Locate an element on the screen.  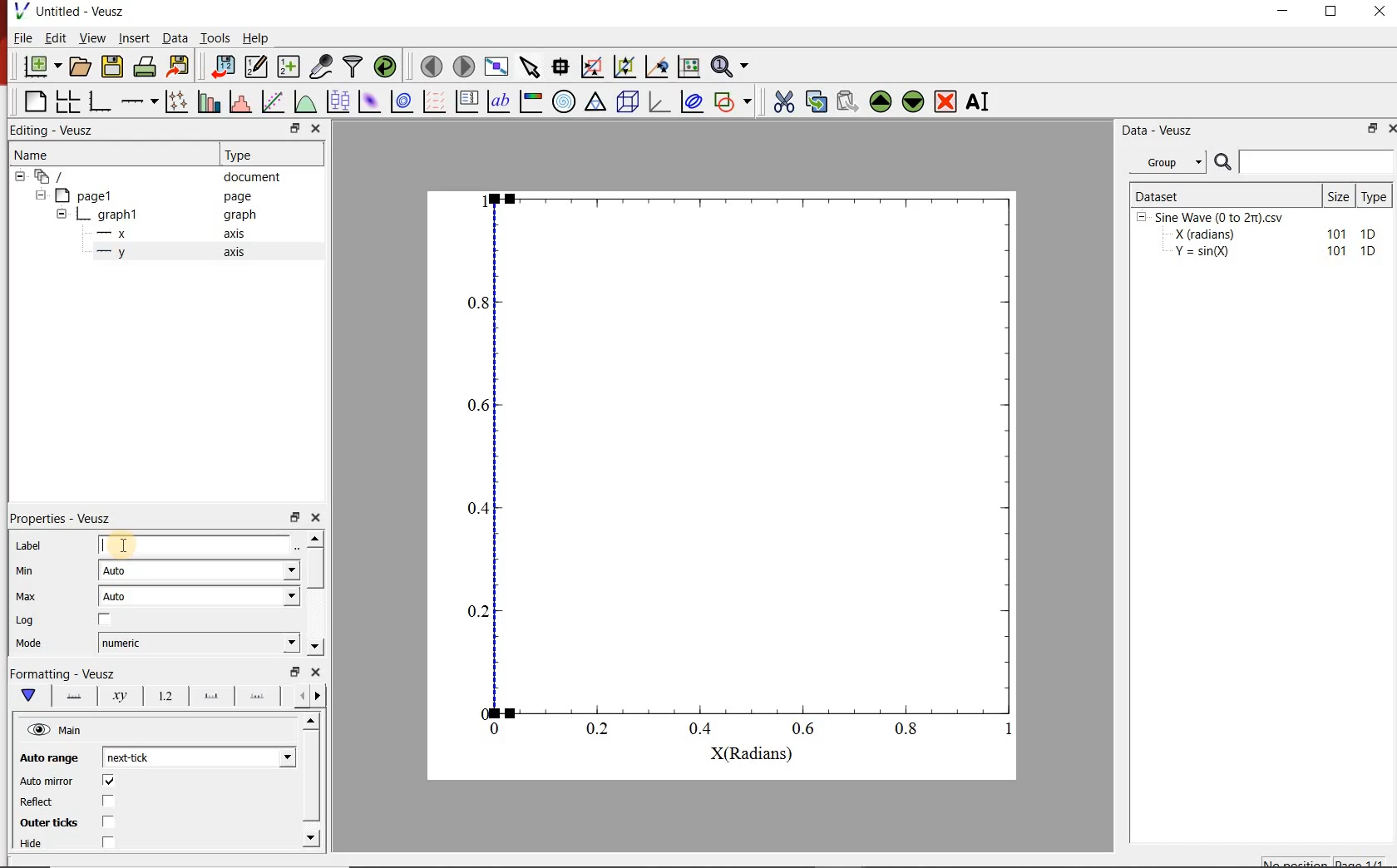
Move right is located at coordinates (320, 696).